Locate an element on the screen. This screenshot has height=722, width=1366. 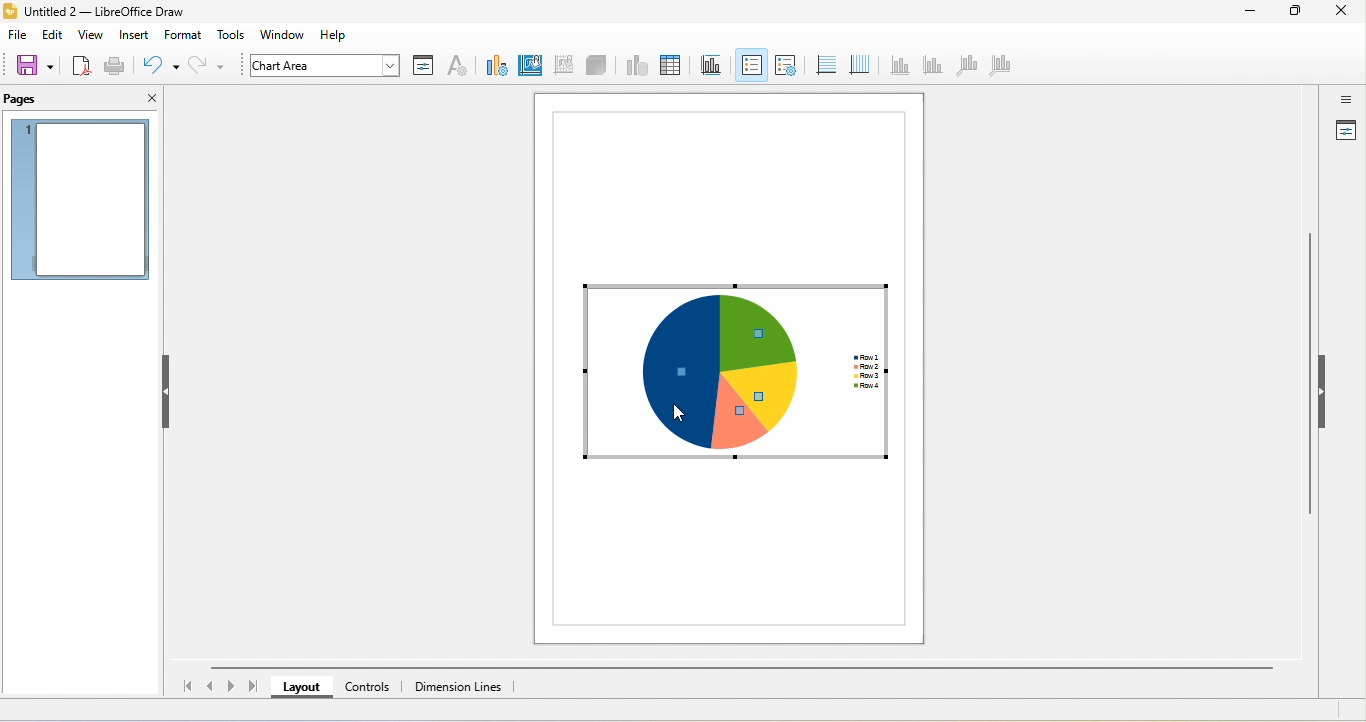
properties is located at coordinates (1345, 132).